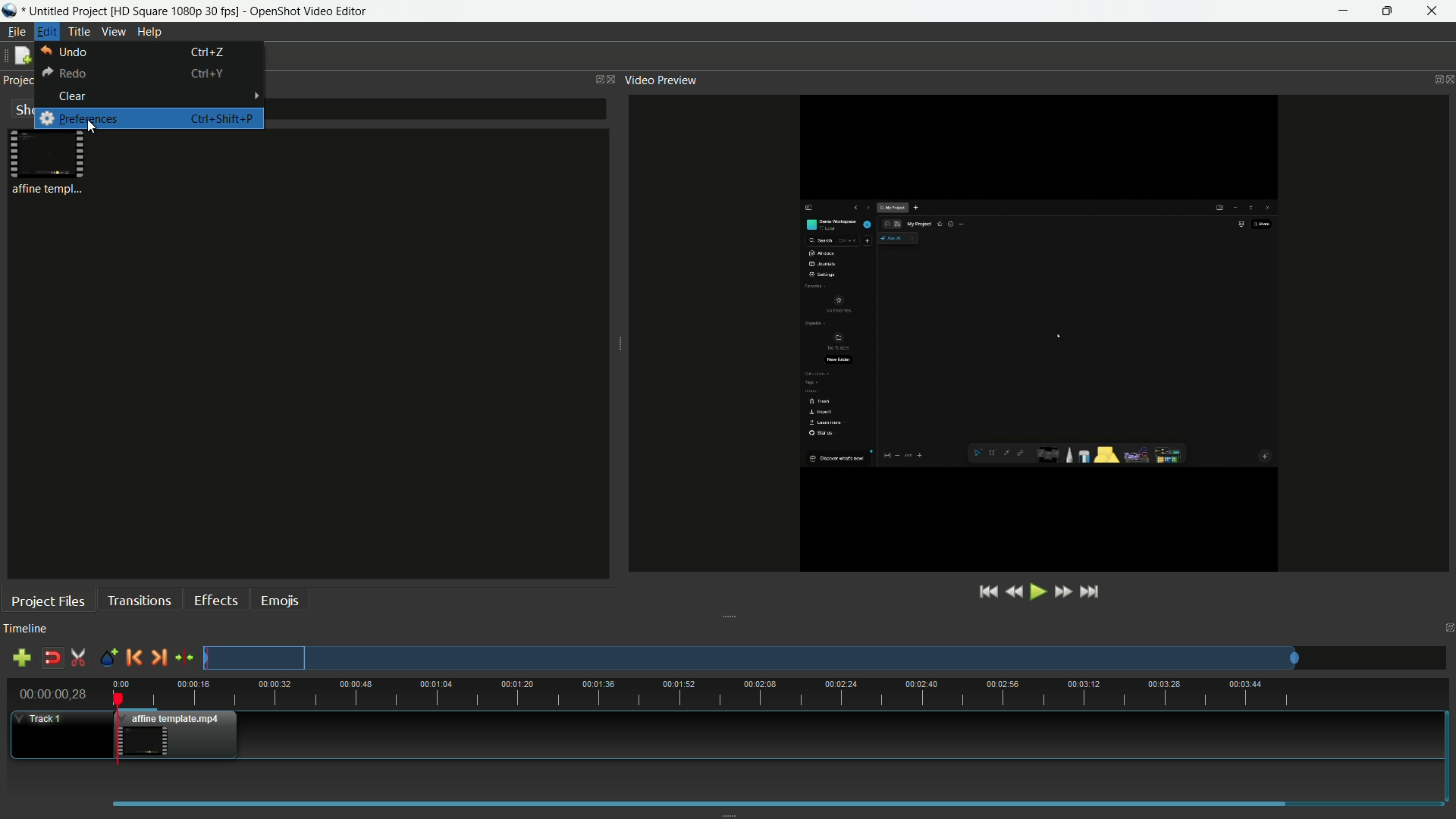 This screenshot has height=819, width=1456. What do you see at coordinates (55, 693) in the screenshot?
I see `current time` at bounding box center [55, 693].